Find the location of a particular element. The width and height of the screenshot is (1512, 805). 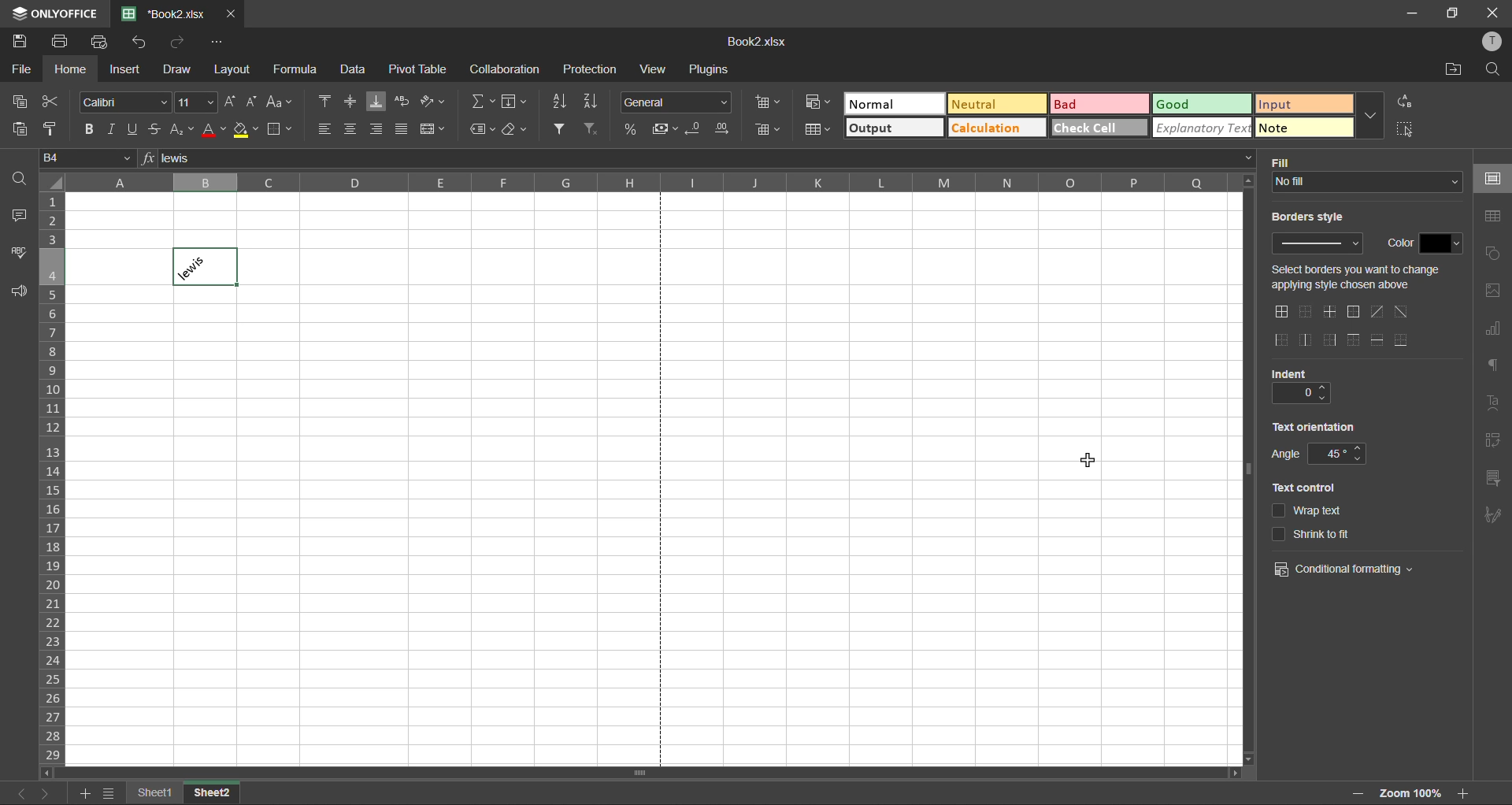

increment size is located at coordinates (230, 103).